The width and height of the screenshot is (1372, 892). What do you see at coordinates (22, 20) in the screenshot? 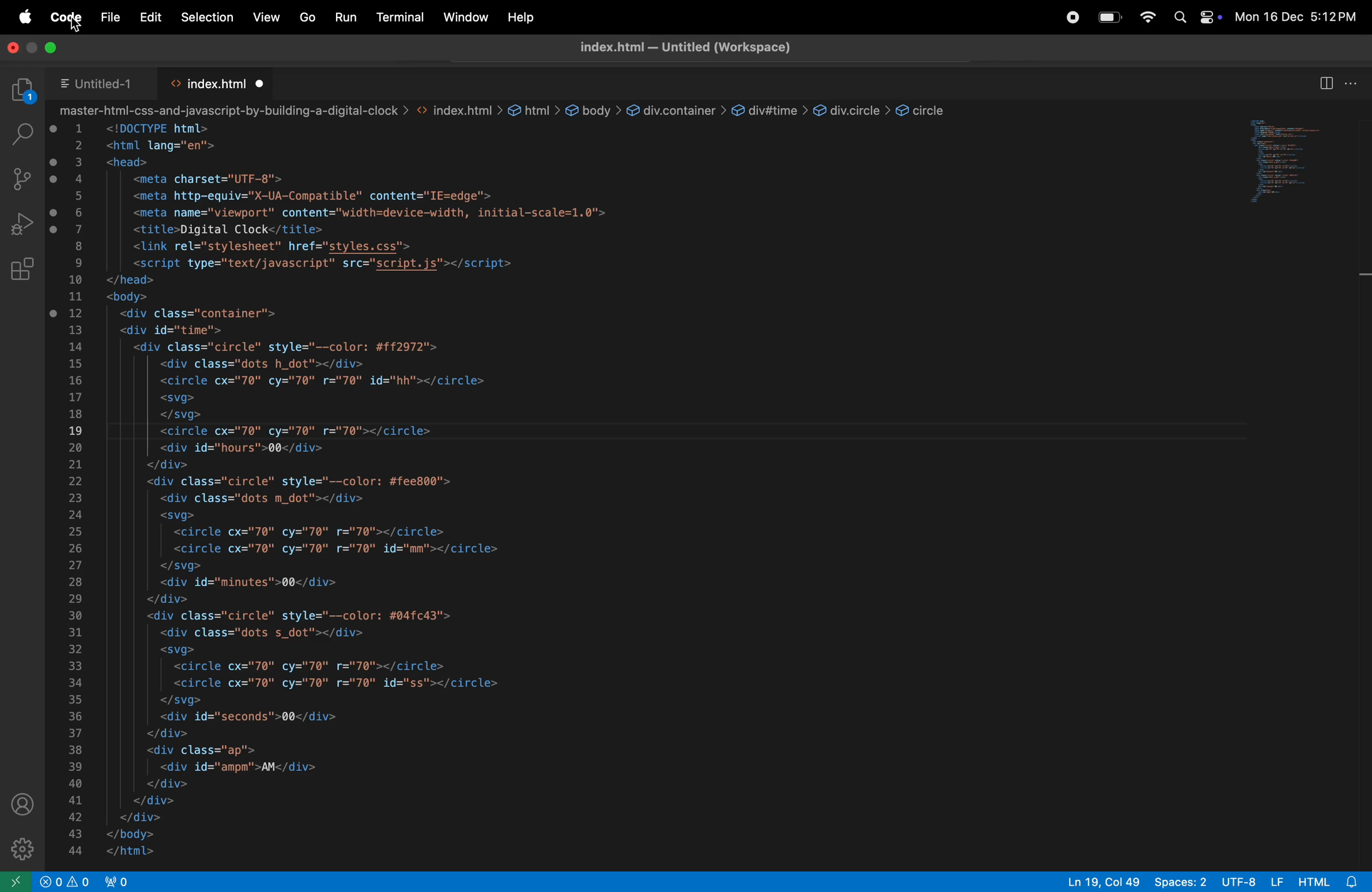
I see `apple menu` at bounding box center [22, 20].